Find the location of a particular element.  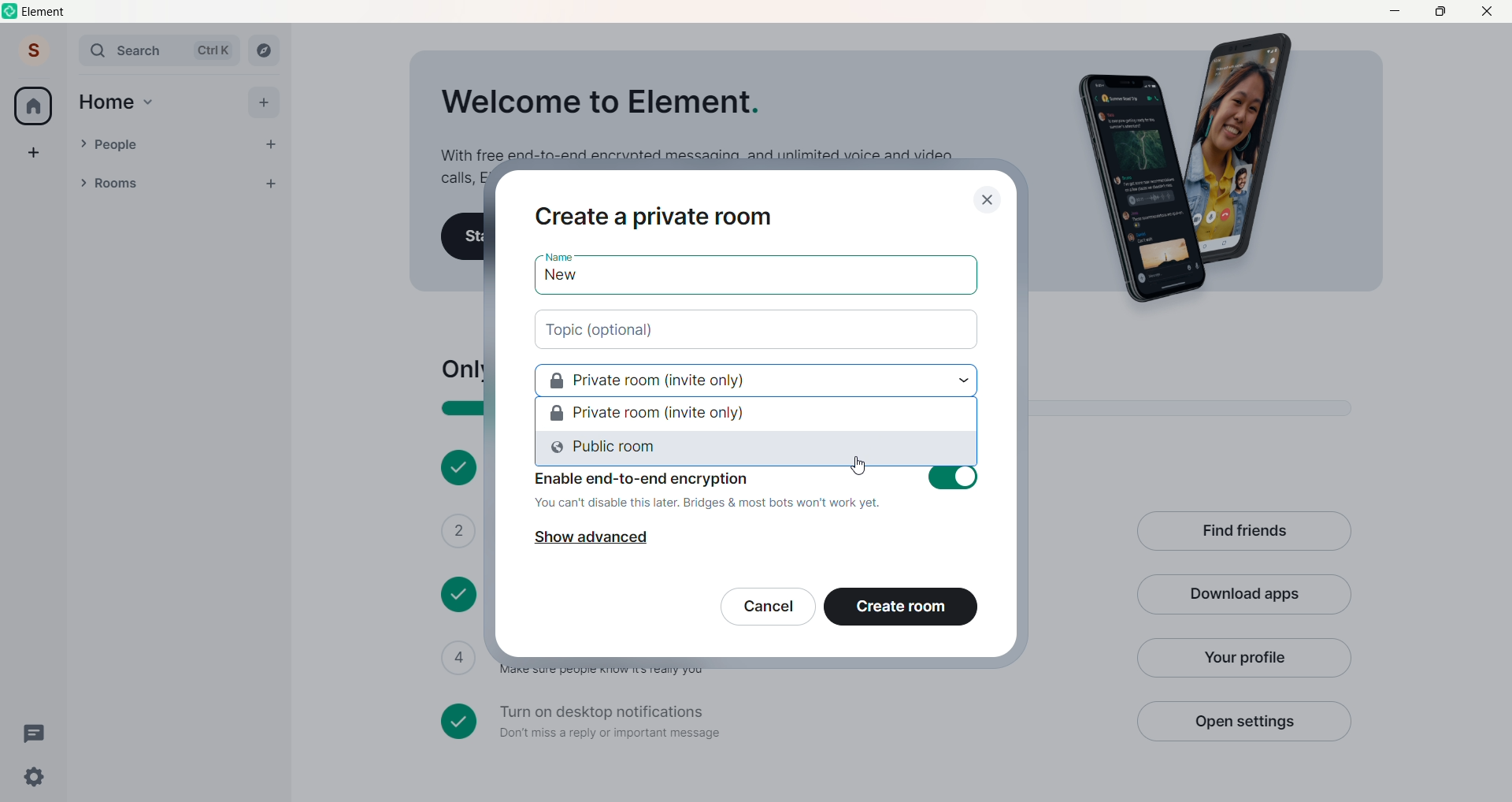

Rooms is located at coordinates (158, 184).